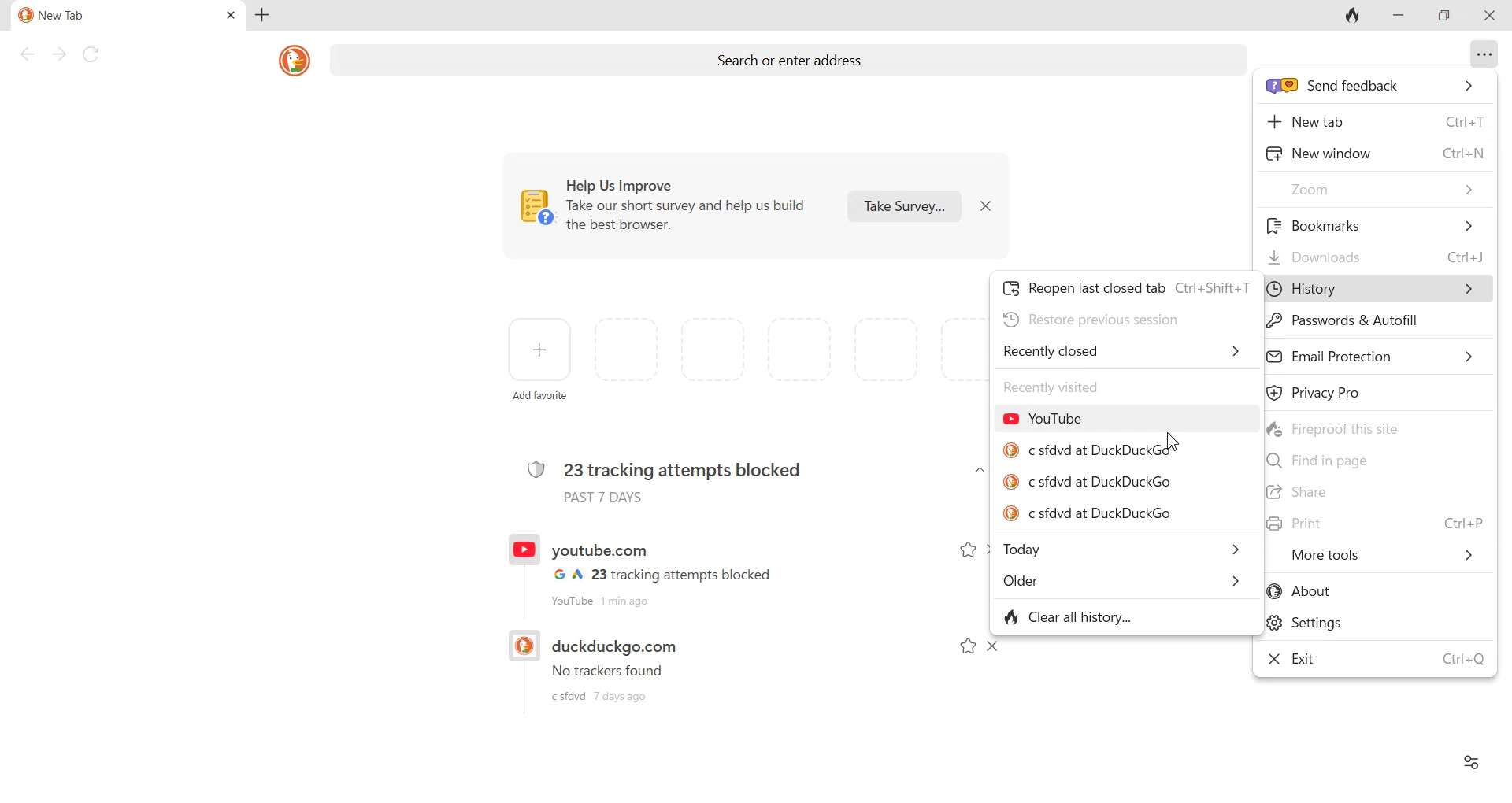 Image resolution: width=1512 pixels, height=803 pixels. What do you see at coordinates (540, 398) in the screenshot?
I see `add favorite` at bounding box center [540, 398].